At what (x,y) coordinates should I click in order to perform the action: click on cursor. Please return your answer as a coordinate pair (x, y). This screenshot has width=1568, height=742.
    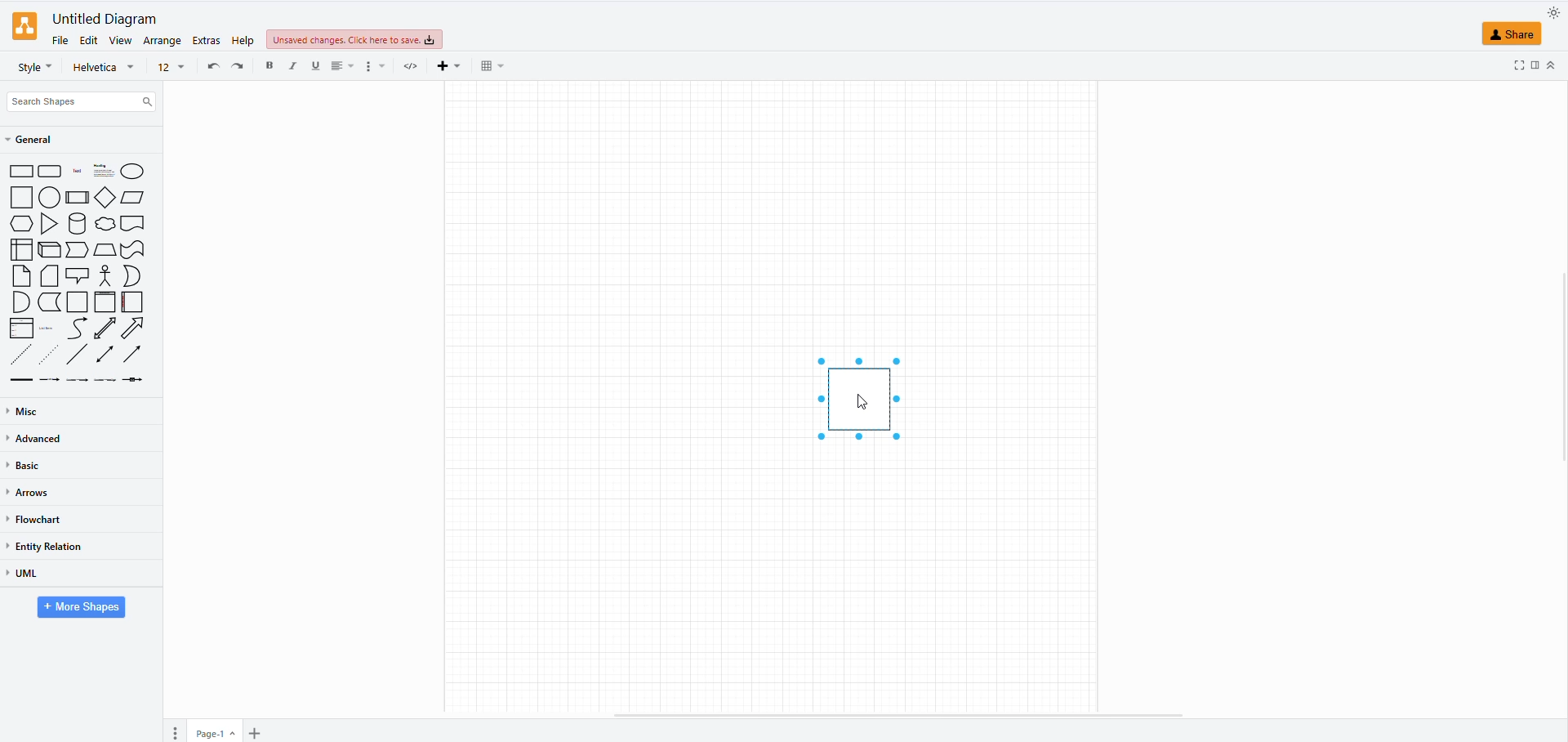
    Looking at the image, I should click on (866, 405).